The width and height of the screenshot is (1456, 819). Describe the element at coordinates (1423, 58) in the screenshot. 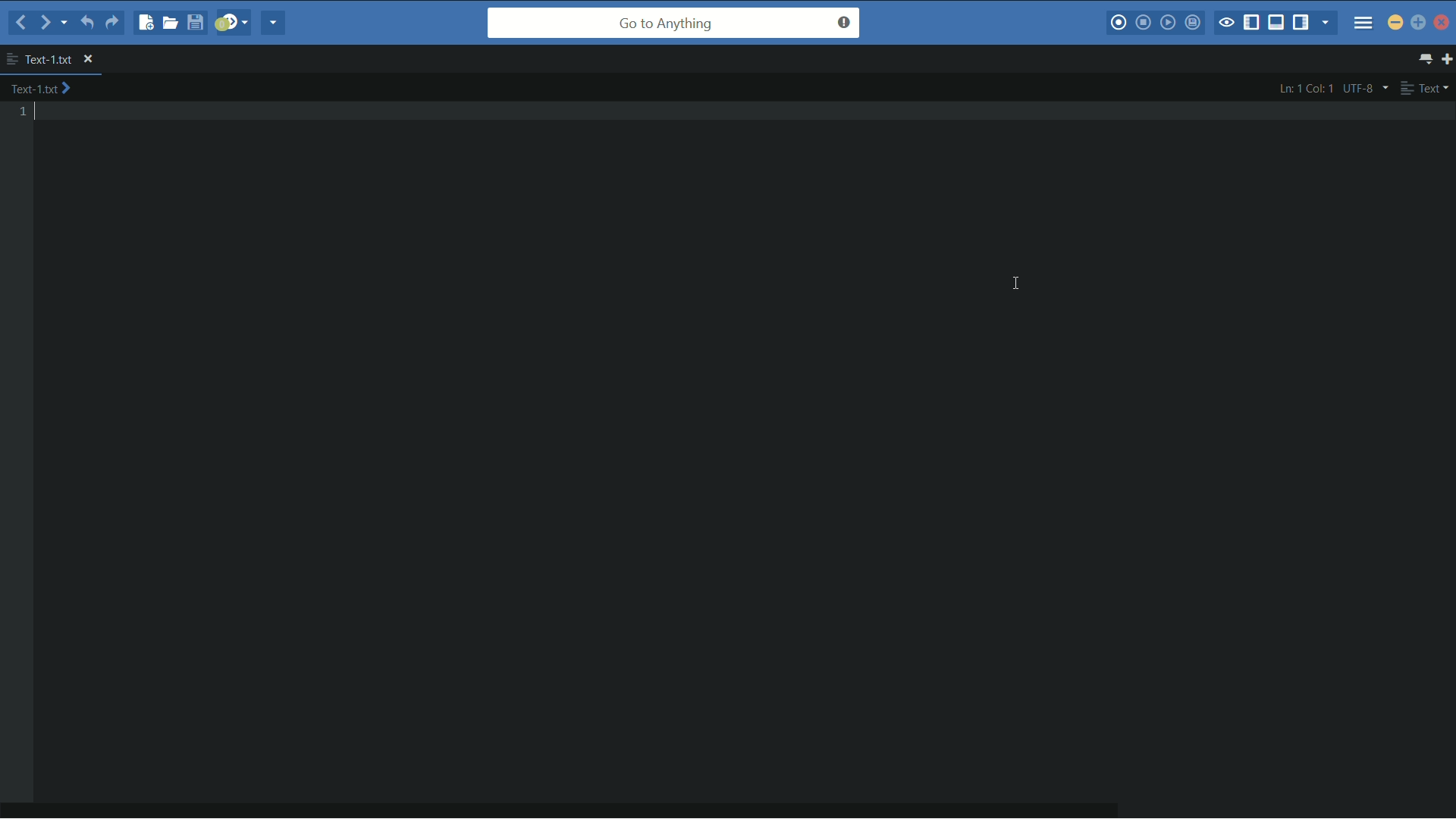

I see `show all tabs` at that location.